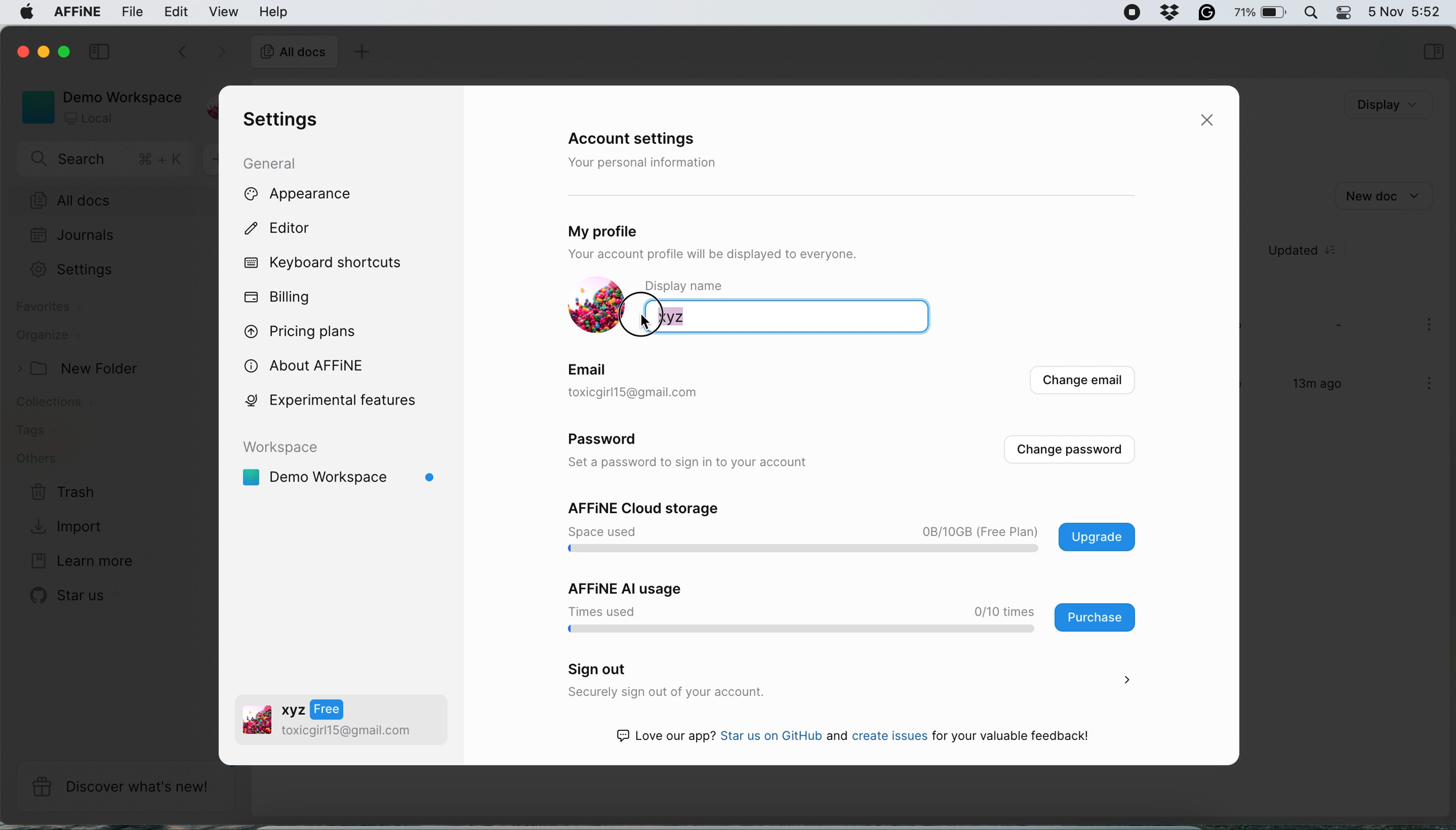  What do you see at coordinates (71, 595) in the screenshot?
I see `star us` at bounding box center [71, 595].